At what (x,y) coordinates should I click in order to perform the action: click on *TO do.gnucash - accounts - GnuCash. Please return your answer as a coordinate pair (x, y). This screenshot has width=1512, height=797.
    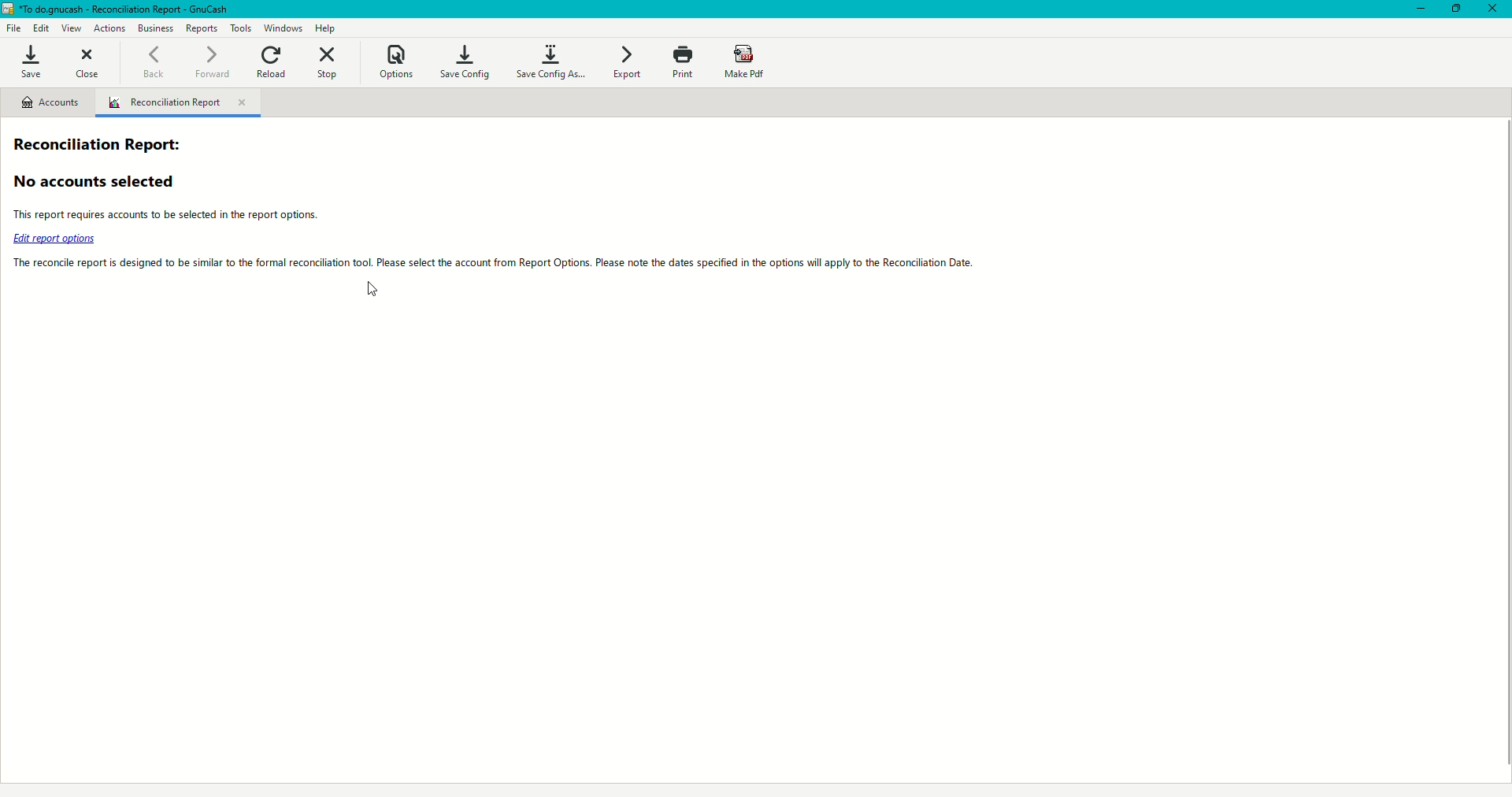
    Looking at the image, I should click on (128, 9).